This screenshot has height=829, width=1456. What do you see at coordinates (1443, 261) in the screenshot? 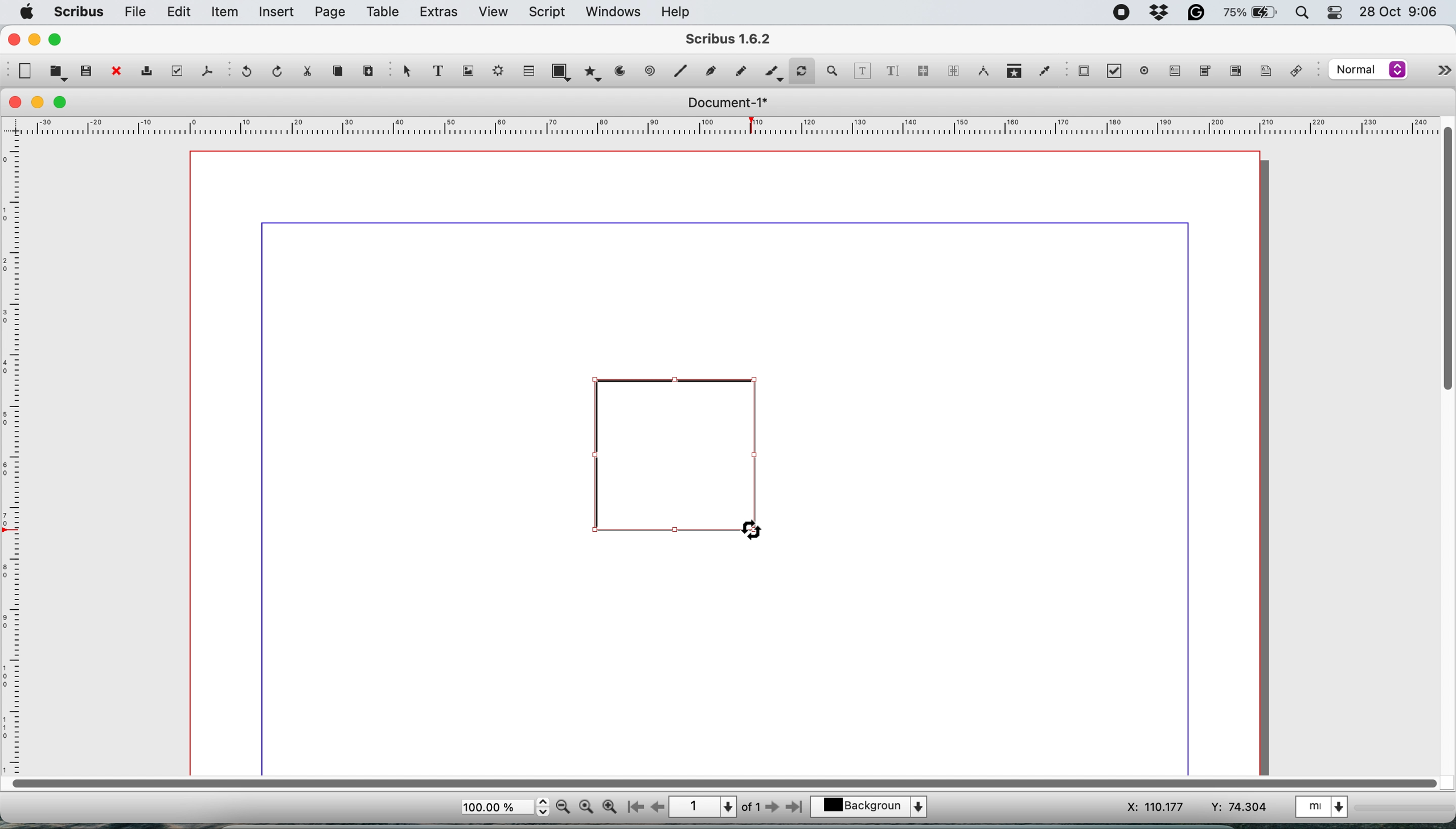
I see `vertical scroll bar` at bounding box center [1443, 261].